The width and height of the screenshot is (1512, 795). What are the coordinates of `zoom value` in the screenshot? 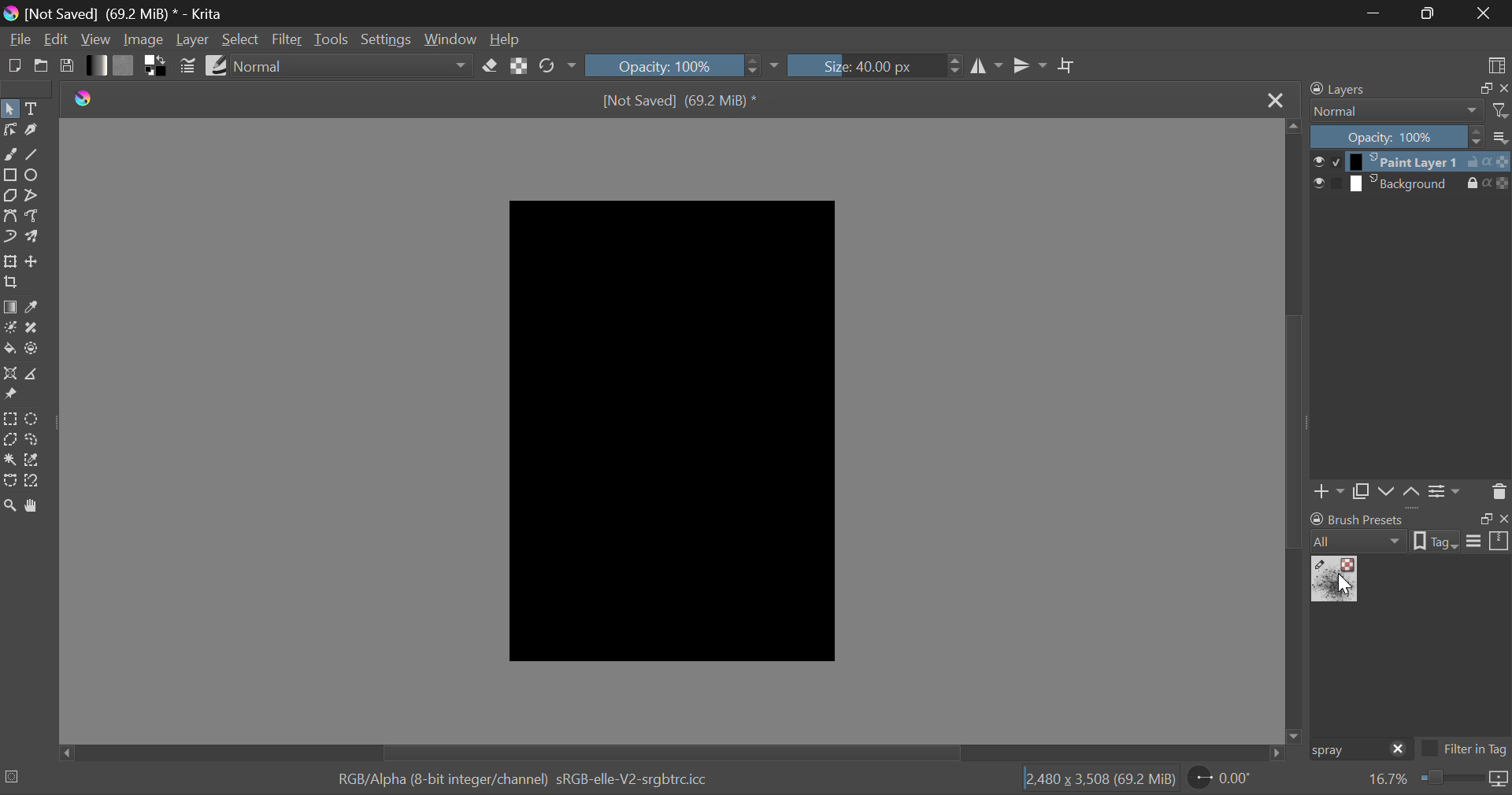 It's located at (1388, 780).